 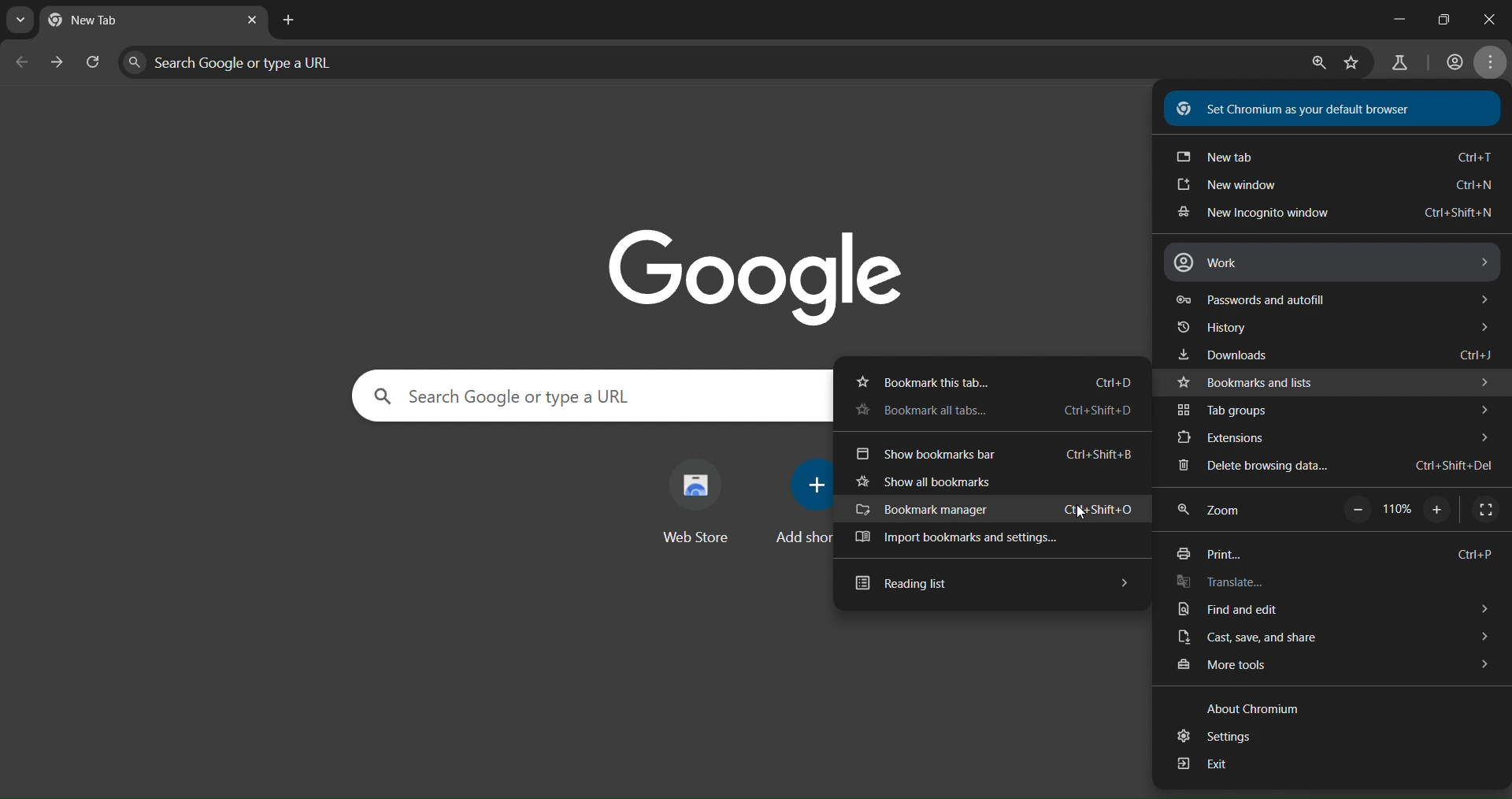 What do you see at coordinates (1332, 667) in the screenshot?
I see `more tools` at bounding box center [1332, 667].